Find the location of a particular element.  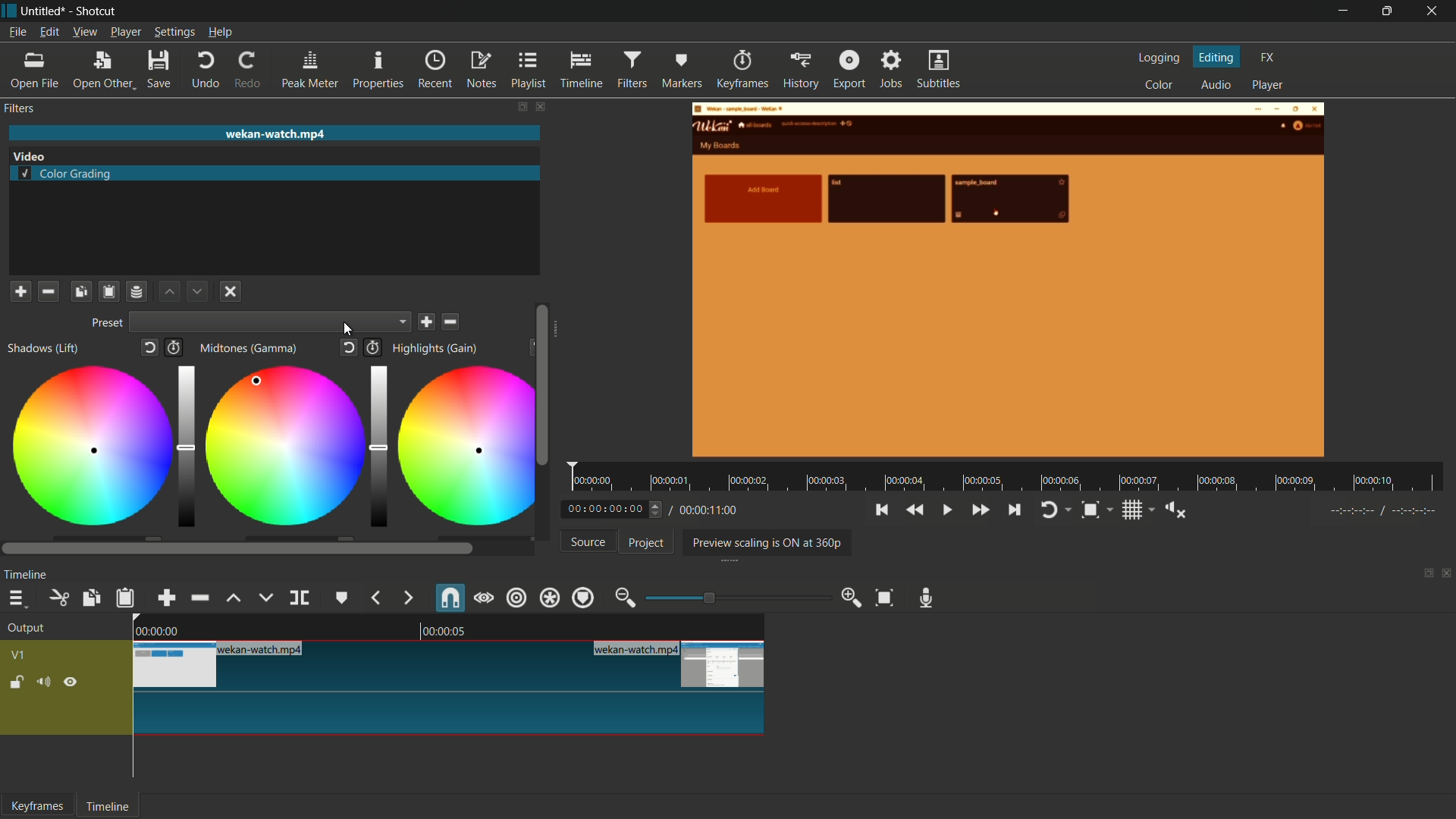

delete is located at coordinates (452, 322).